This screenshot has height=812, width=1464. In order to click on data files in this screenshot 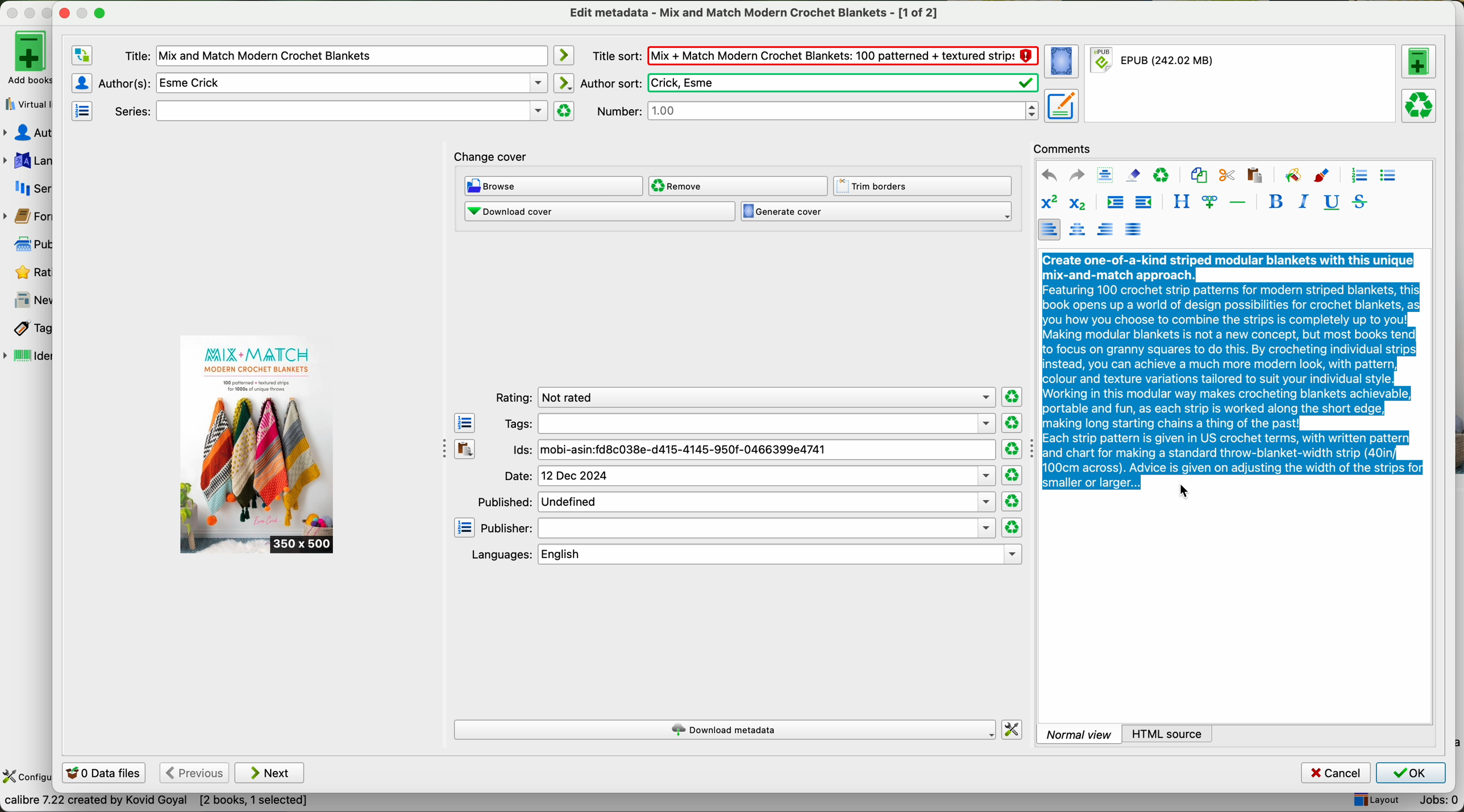, I will do `click(102, 774)`.